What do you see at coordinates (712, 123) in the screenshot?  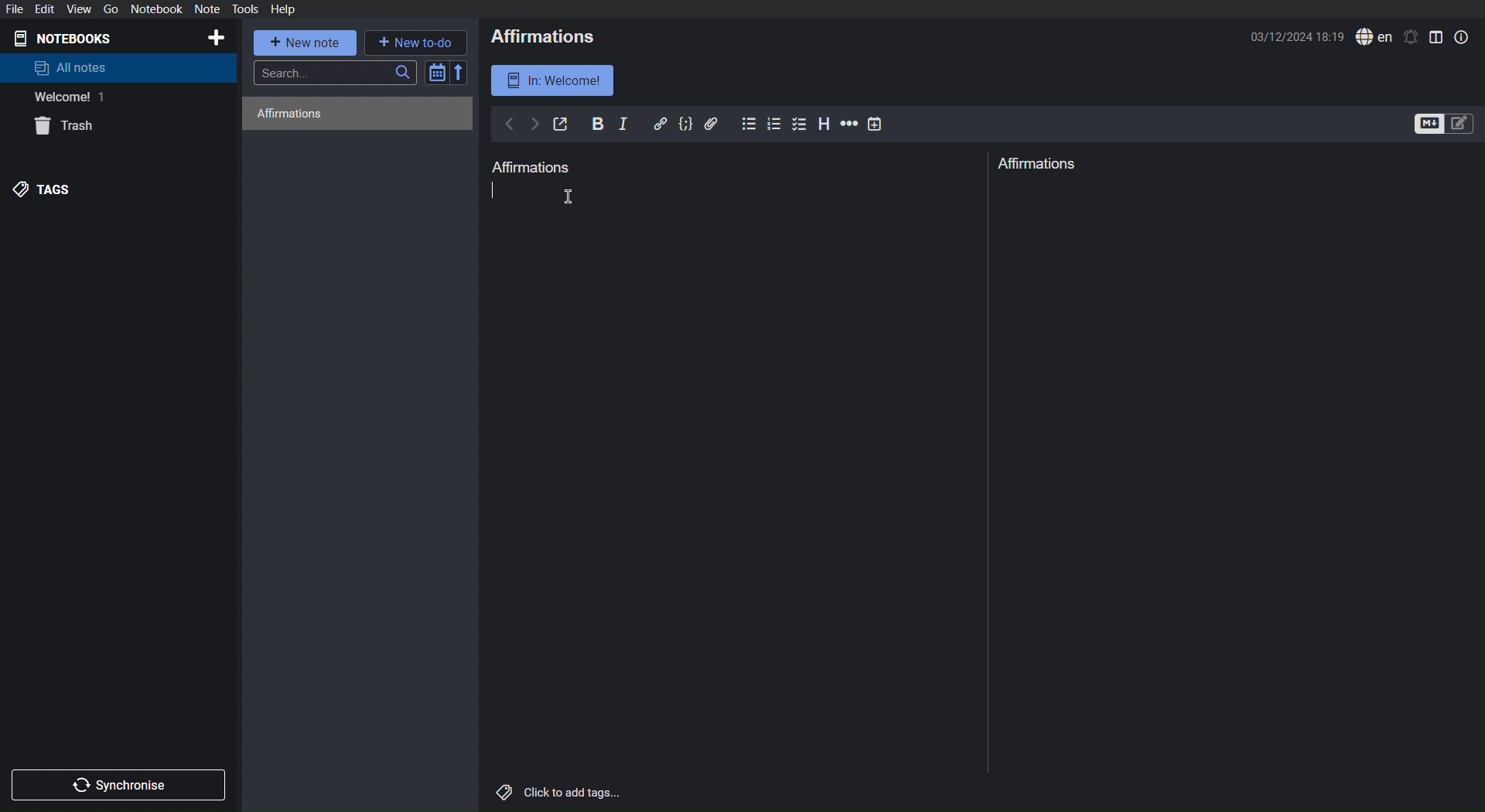 I see `Attach file` at bounding box center [712, 123].